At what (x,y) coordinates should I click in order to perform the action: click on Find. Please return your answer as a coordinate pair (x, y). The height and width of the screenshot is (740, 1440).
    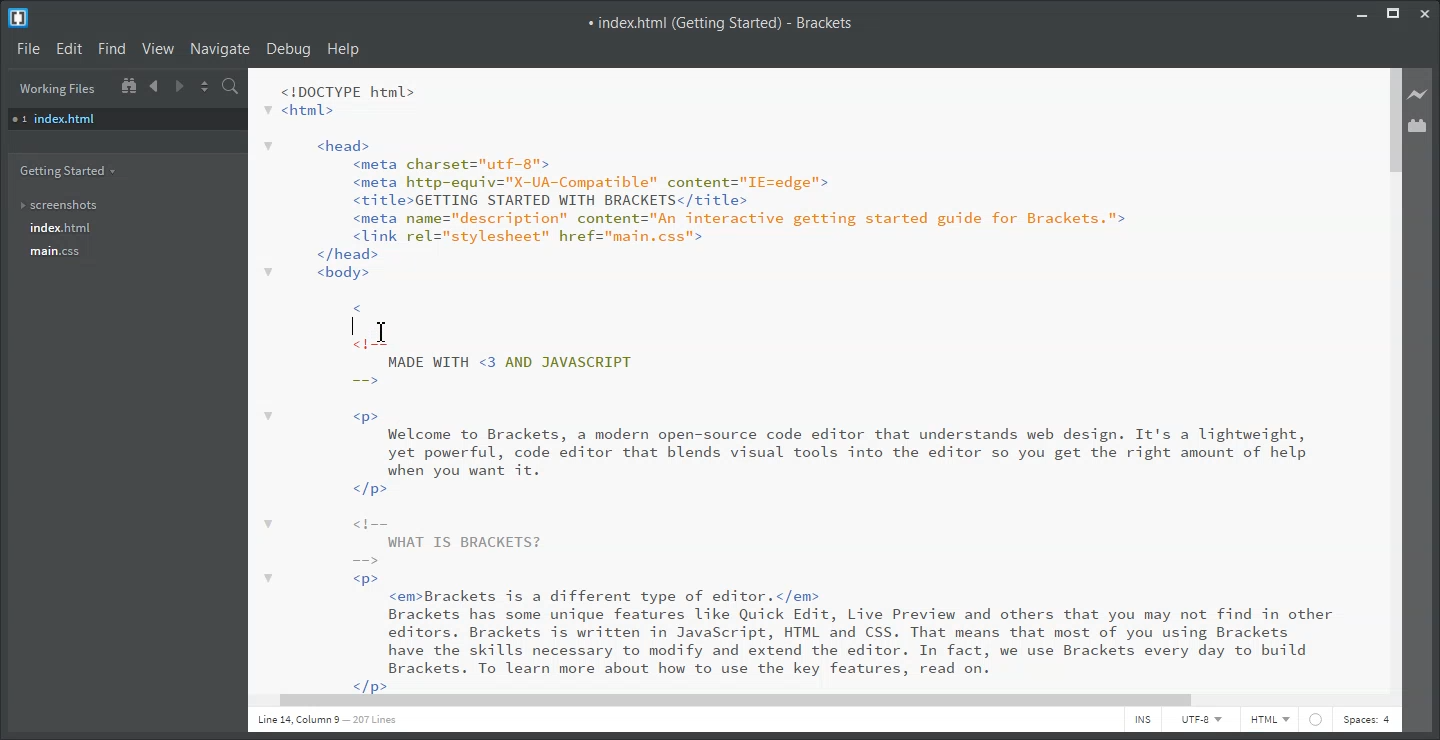
    Looking at the image, I should click on (111, 49).